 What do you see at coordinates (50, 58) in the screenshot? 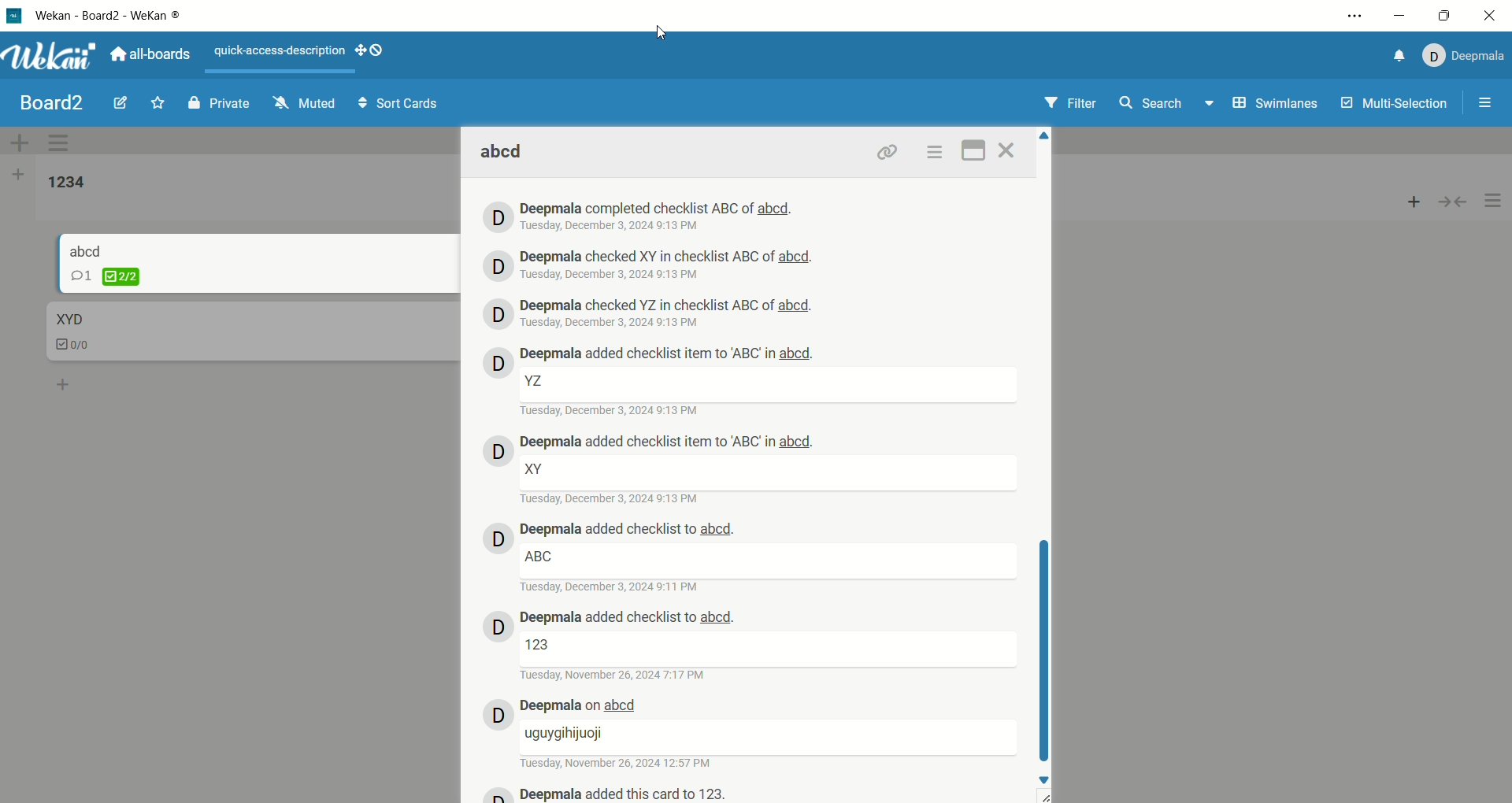
I see `wekan` at bounding box center [50, 58].